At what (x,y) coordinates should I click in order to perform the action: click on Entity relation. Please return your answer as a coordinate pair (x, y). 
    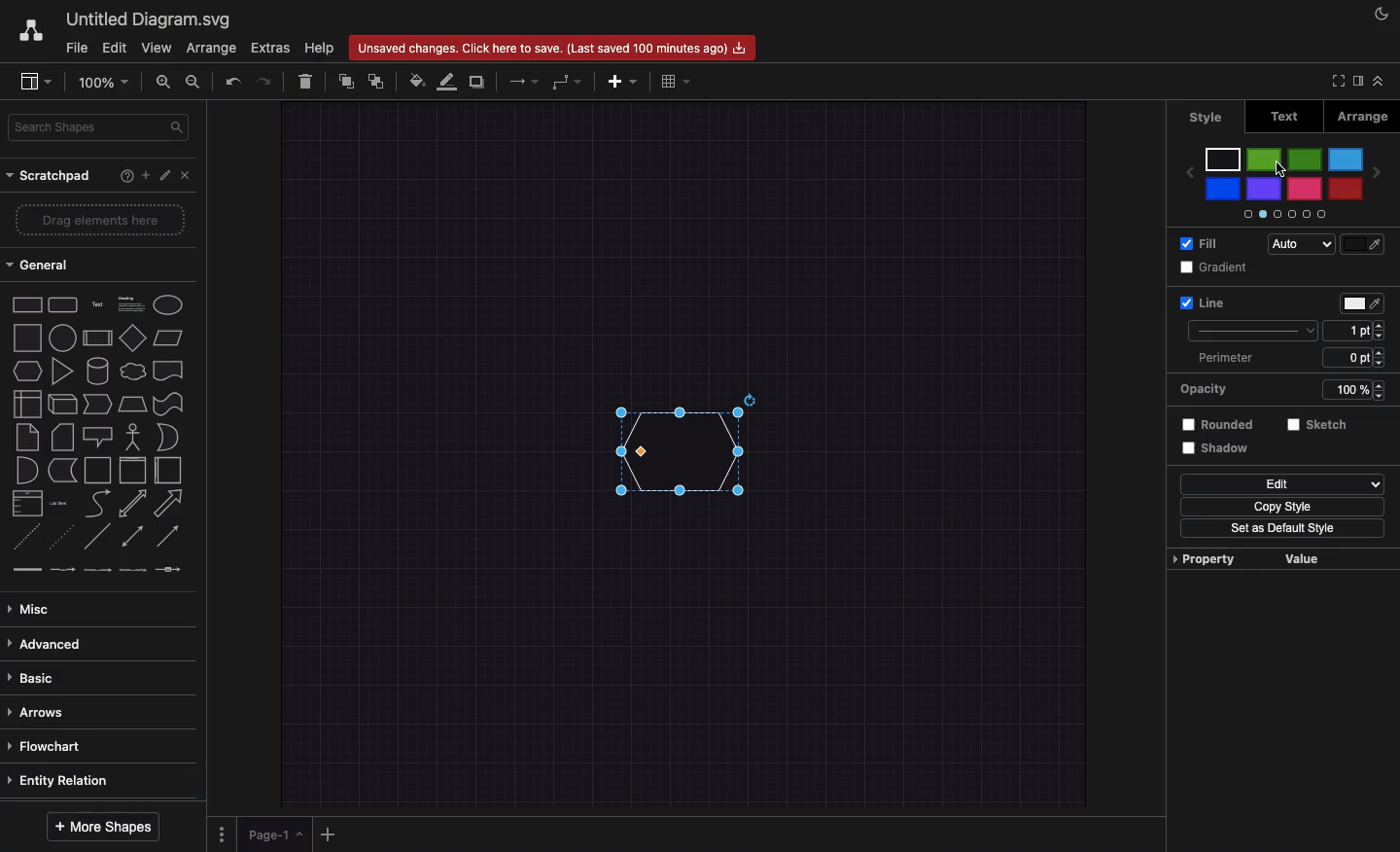
    Looking at the image, I should click on (68, 781).